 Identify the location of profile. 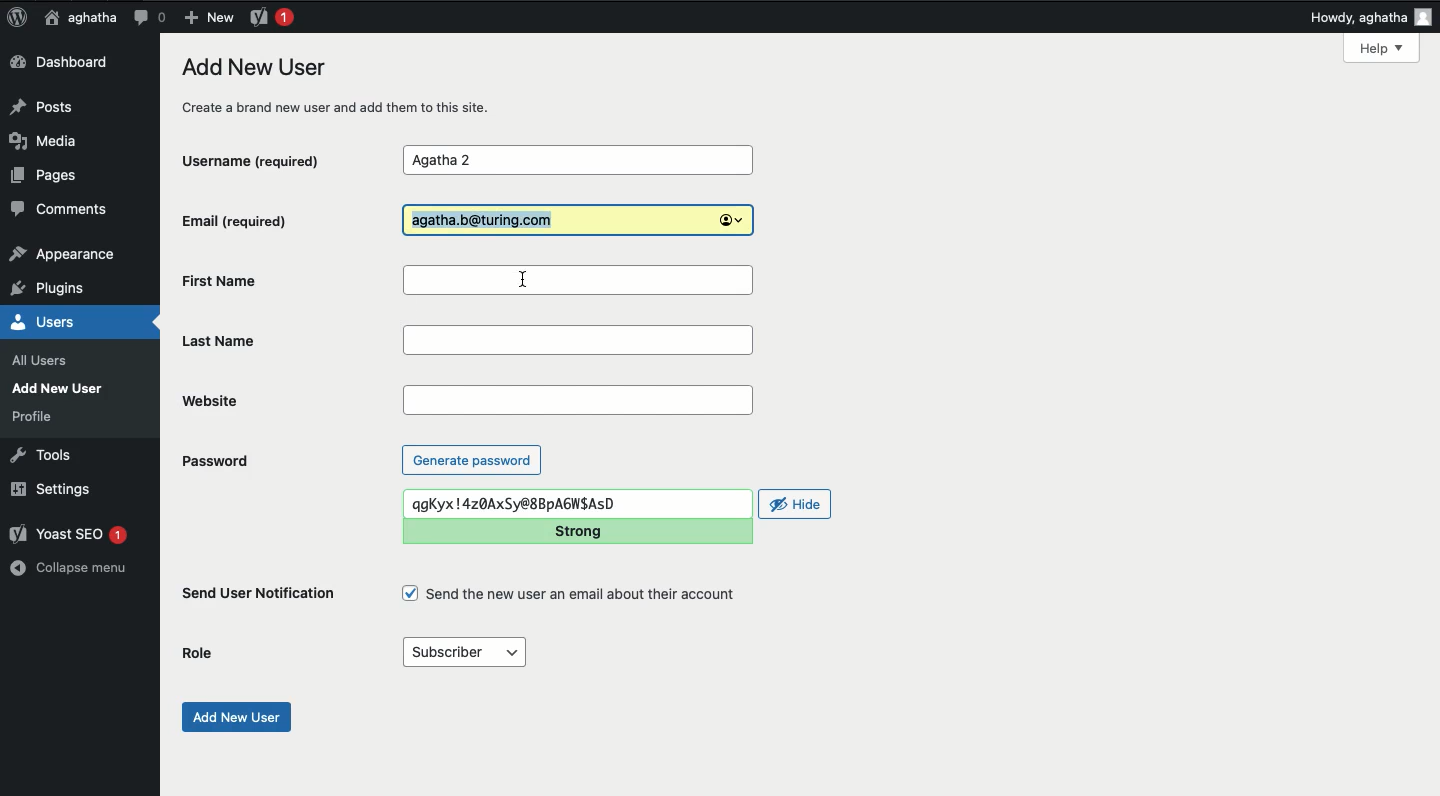
(38, 416).